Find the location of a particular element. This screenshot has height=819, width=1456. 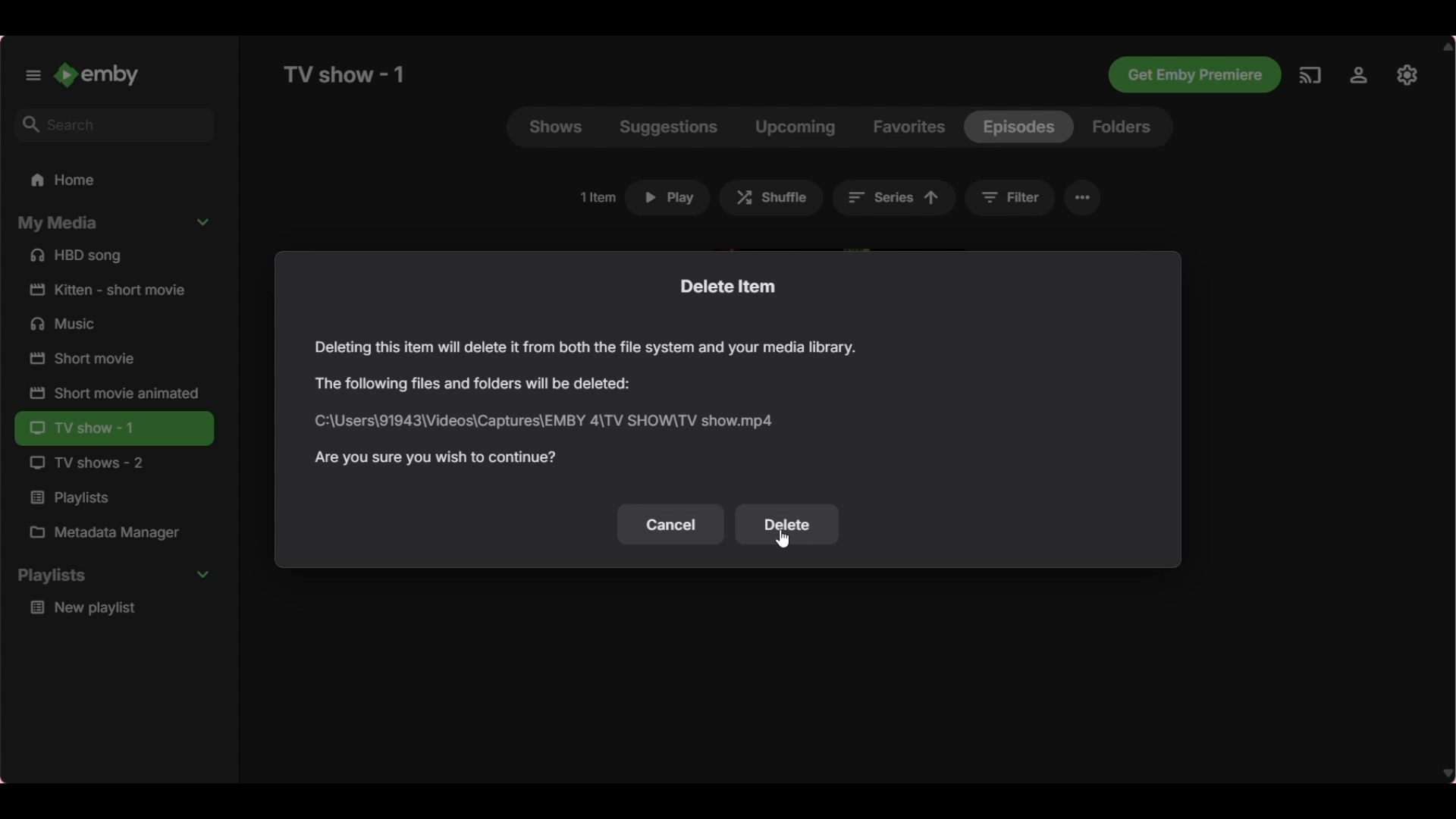

Collapse My media is located at coordinates (113, 224).